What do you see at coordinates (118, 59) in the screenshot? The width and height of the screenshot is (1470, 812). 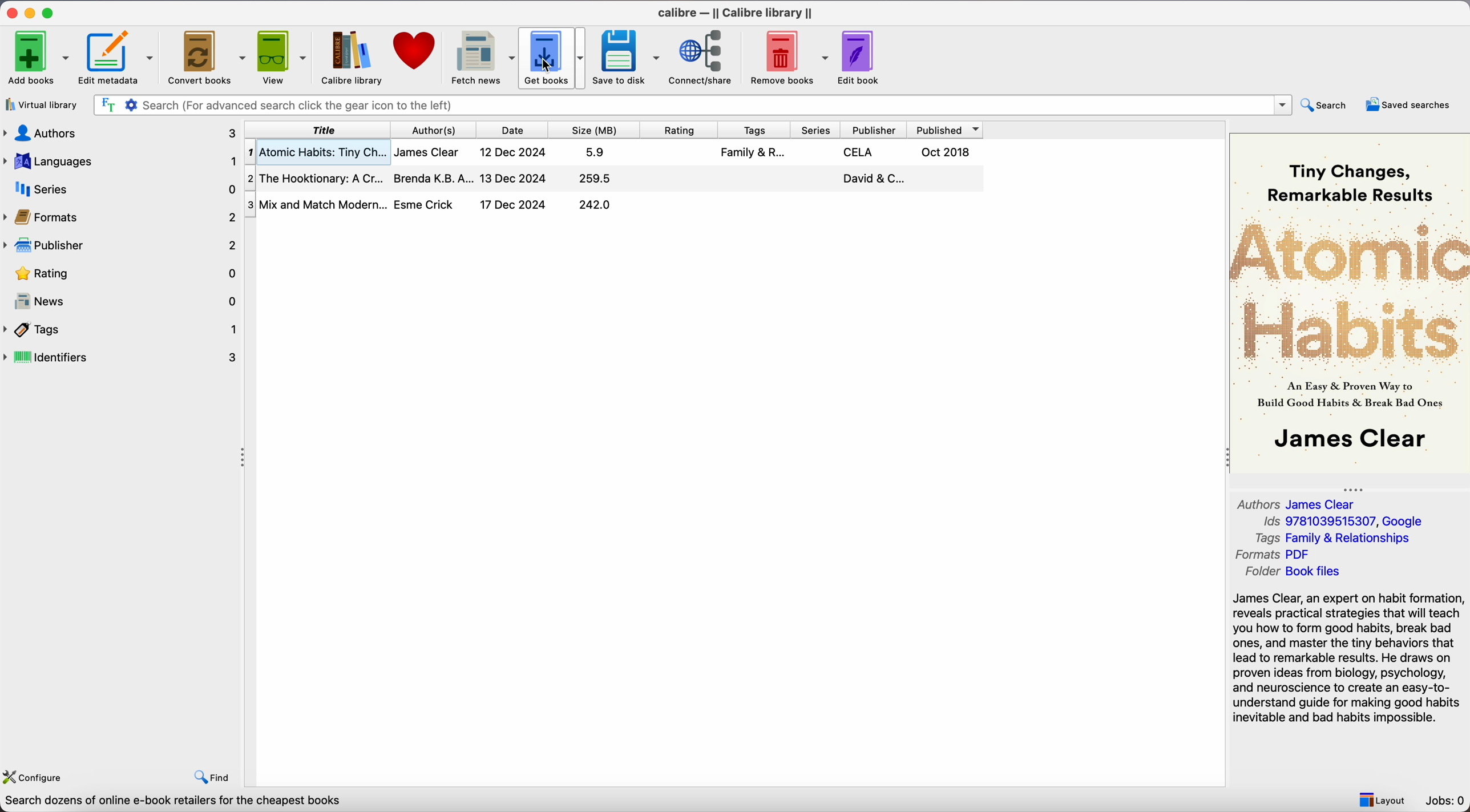 I see `edit metadata` at bounding box center [118, 59].